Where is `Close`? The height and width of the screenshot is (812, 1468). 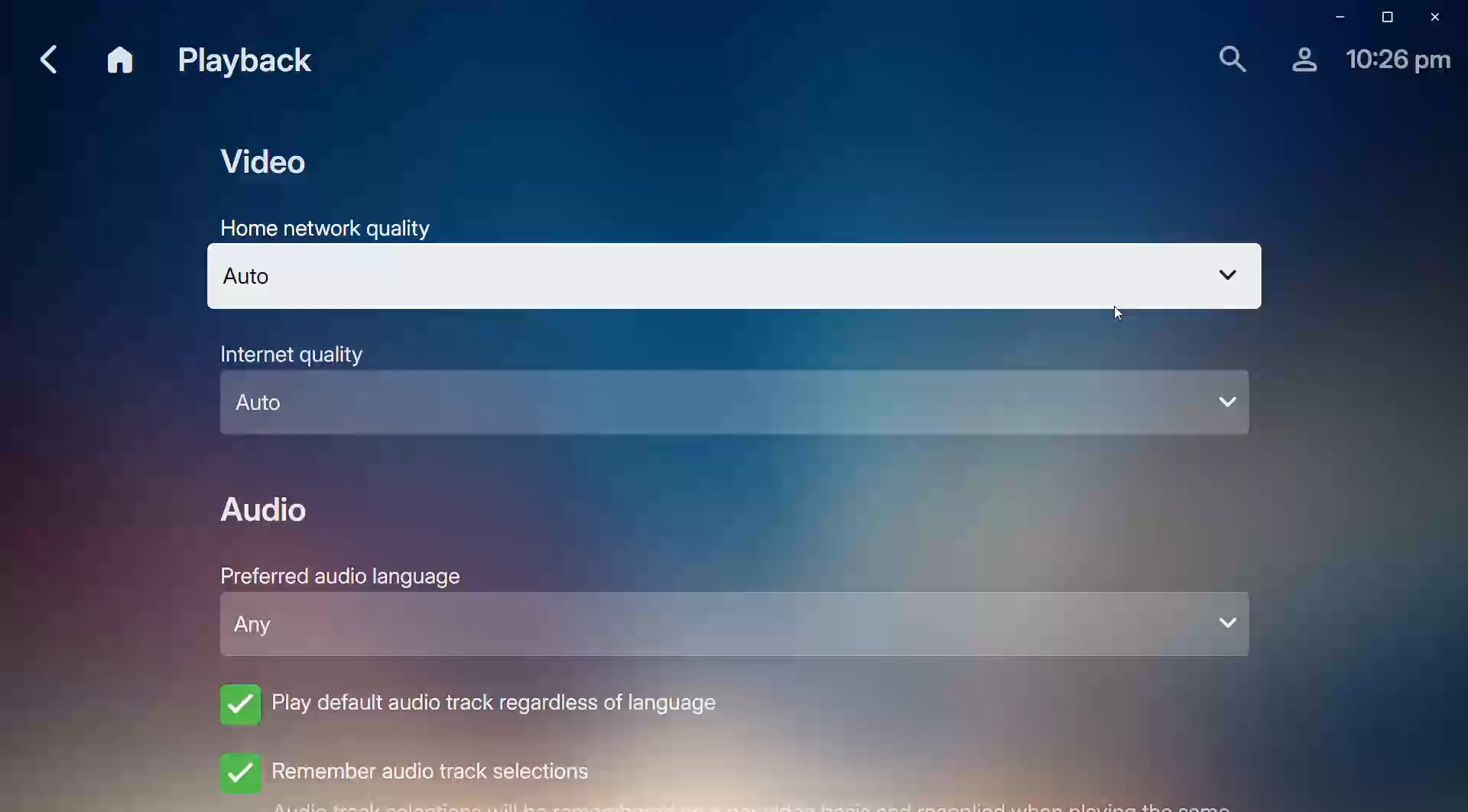 Close is located at coordinates (1438, 18).